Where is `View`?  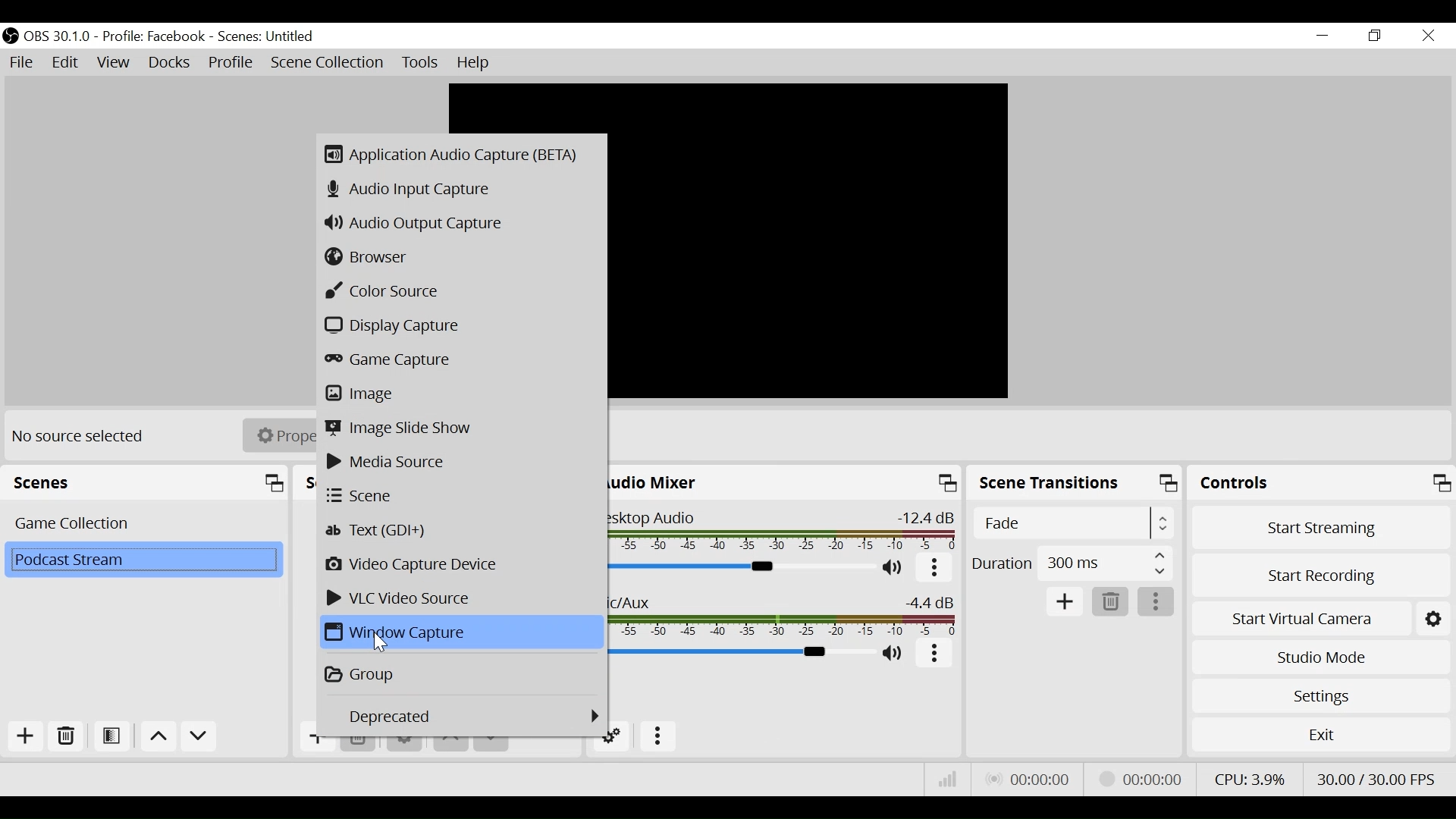 View is located at coordinates (115, 63).